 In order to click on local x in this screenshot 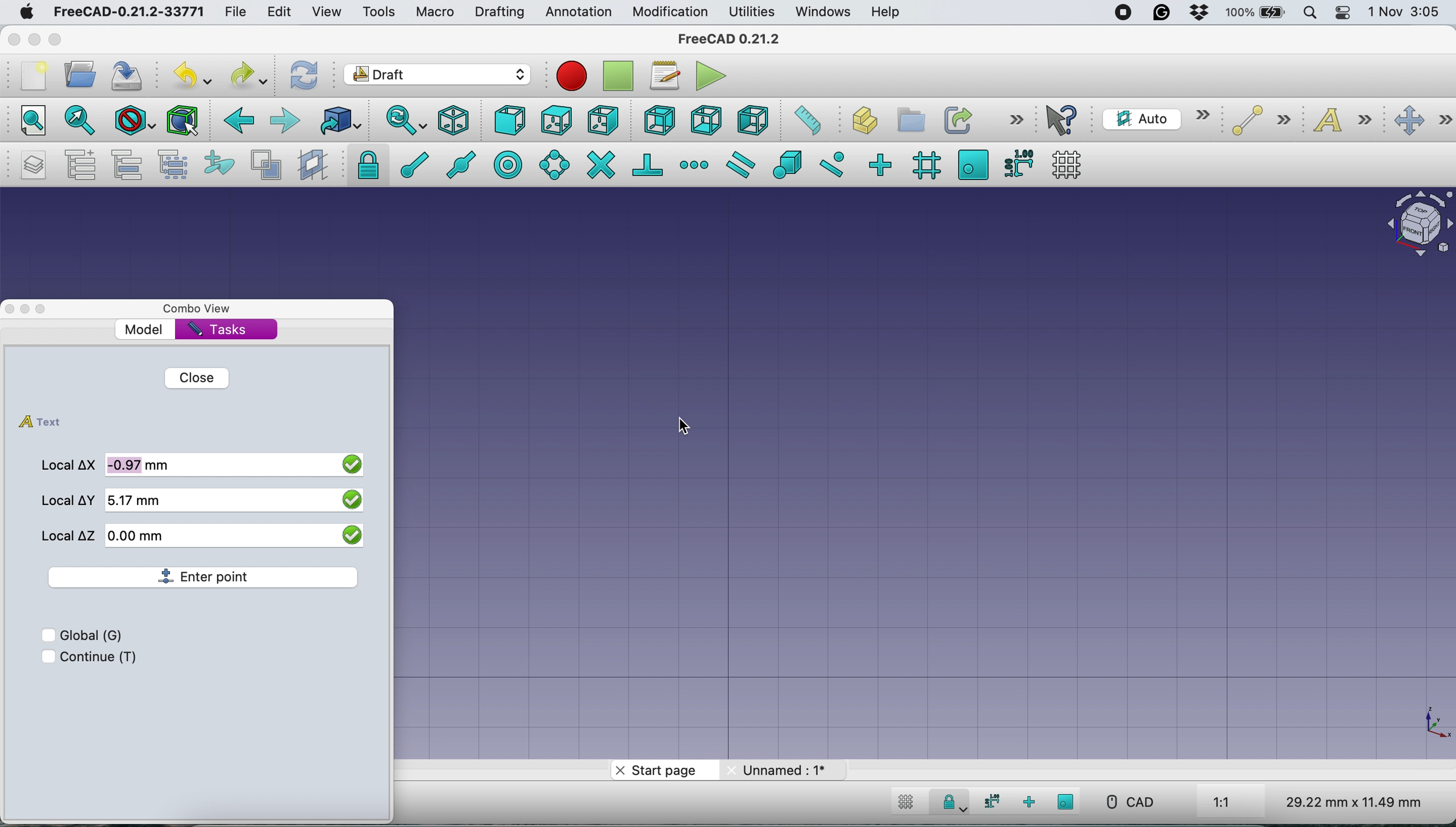, I will do `click(236, 463)`.